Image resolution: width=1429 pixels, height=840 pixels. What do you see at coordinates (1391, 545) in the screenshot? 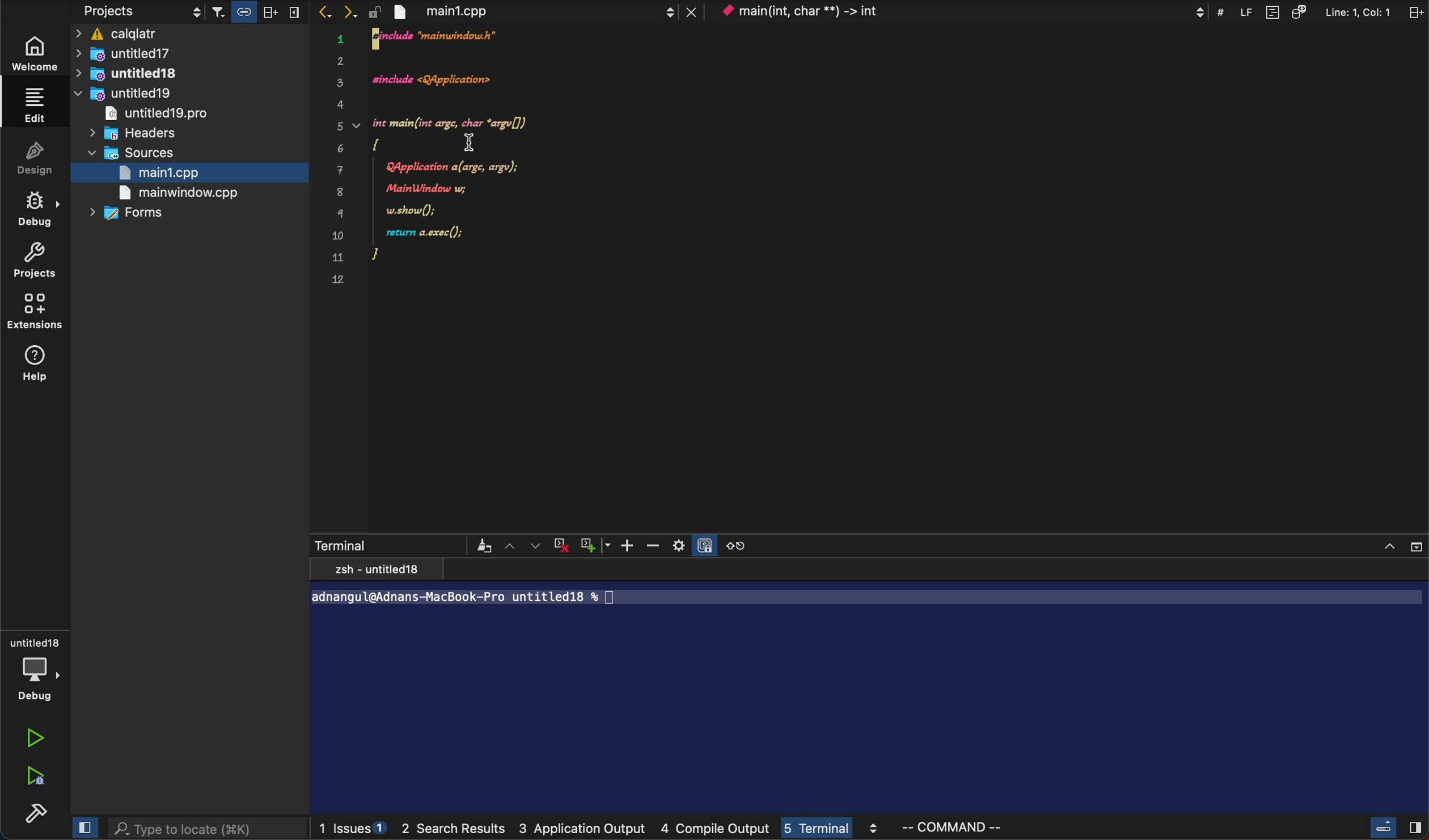
I see `close` at bounding box center [1391, 545].